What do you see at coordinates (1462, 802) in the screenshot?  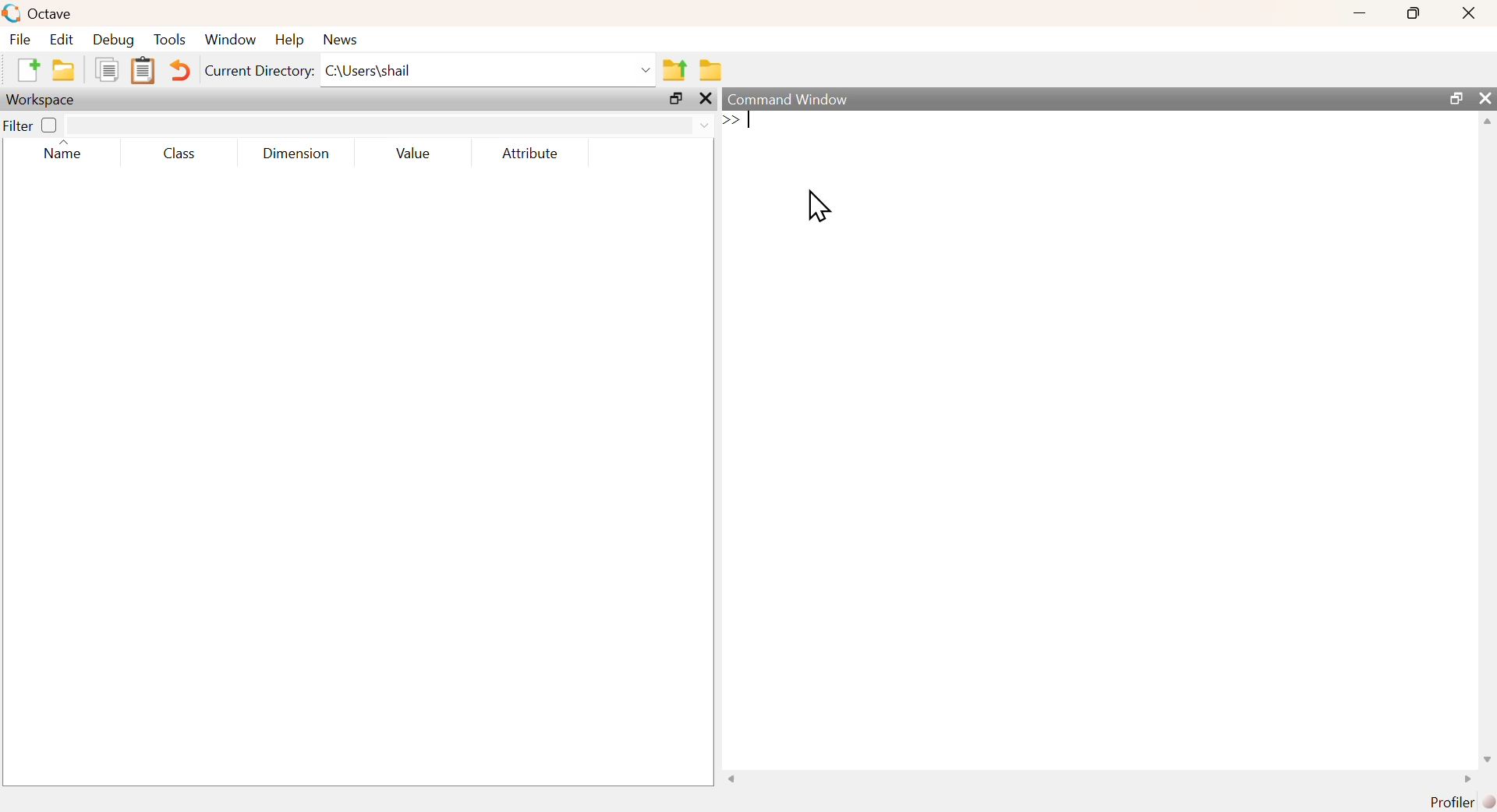 I see `Profiler` at bounding box center [1462, 802].